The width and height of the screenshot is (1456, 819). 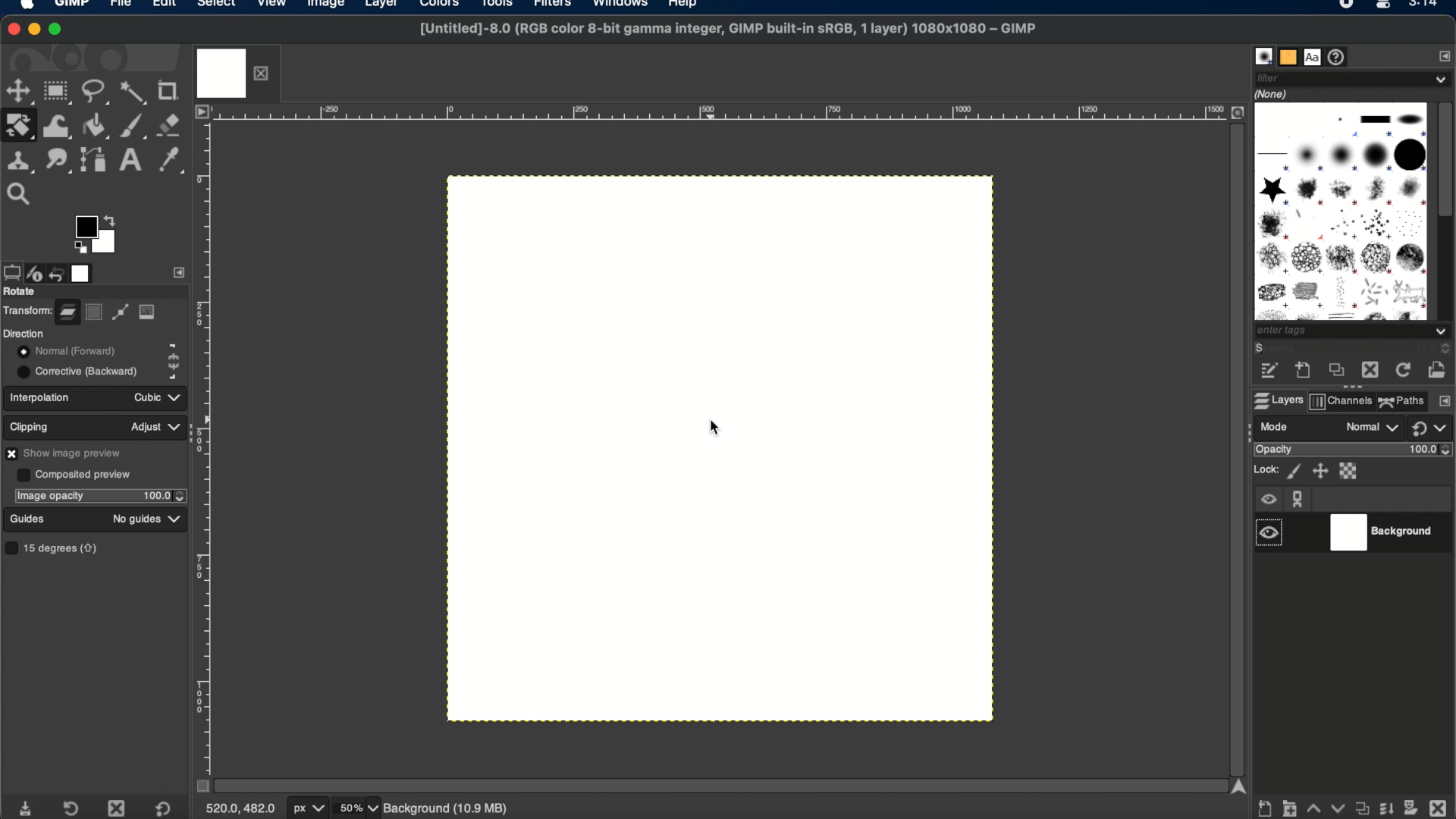 What do you see at coordinates (1438, 804) in the screenshot?
I see `delete this layer` at bounding box center [1438, 804].